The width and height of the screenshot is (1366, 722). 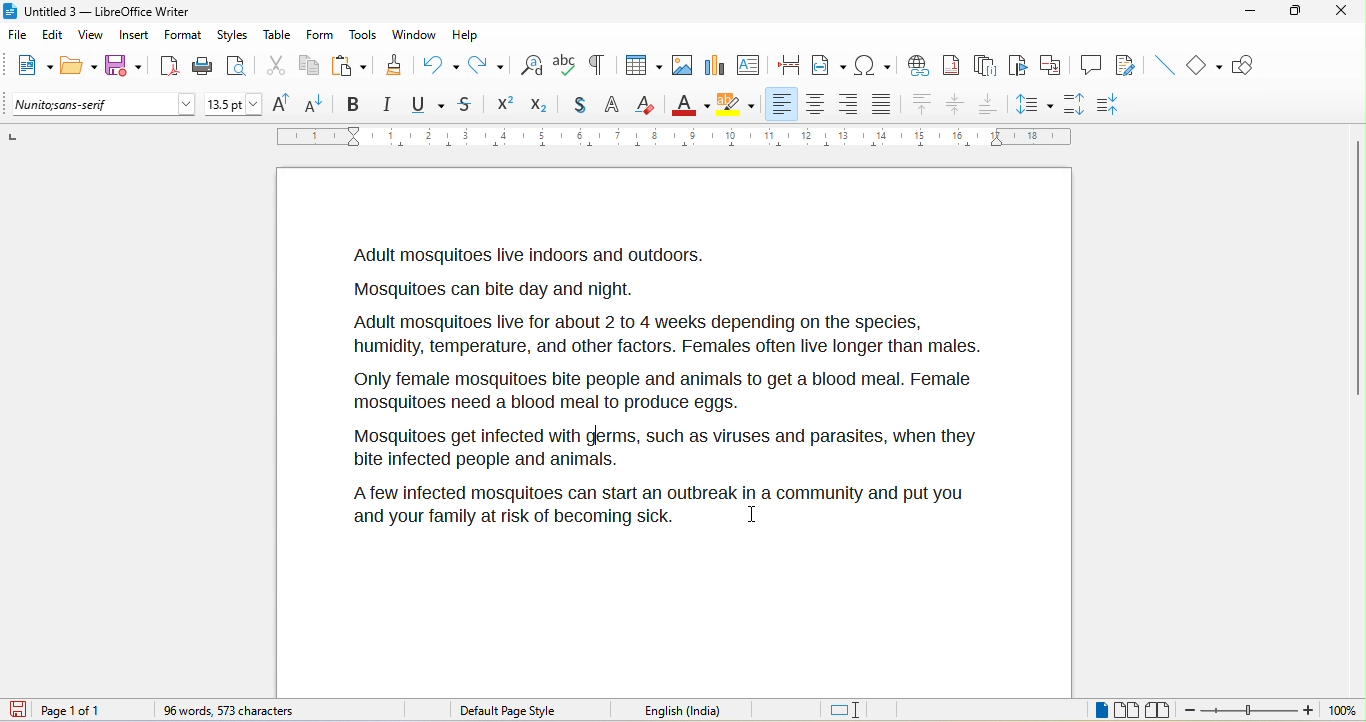 I want to click on page break, so click(x=792, y=67).